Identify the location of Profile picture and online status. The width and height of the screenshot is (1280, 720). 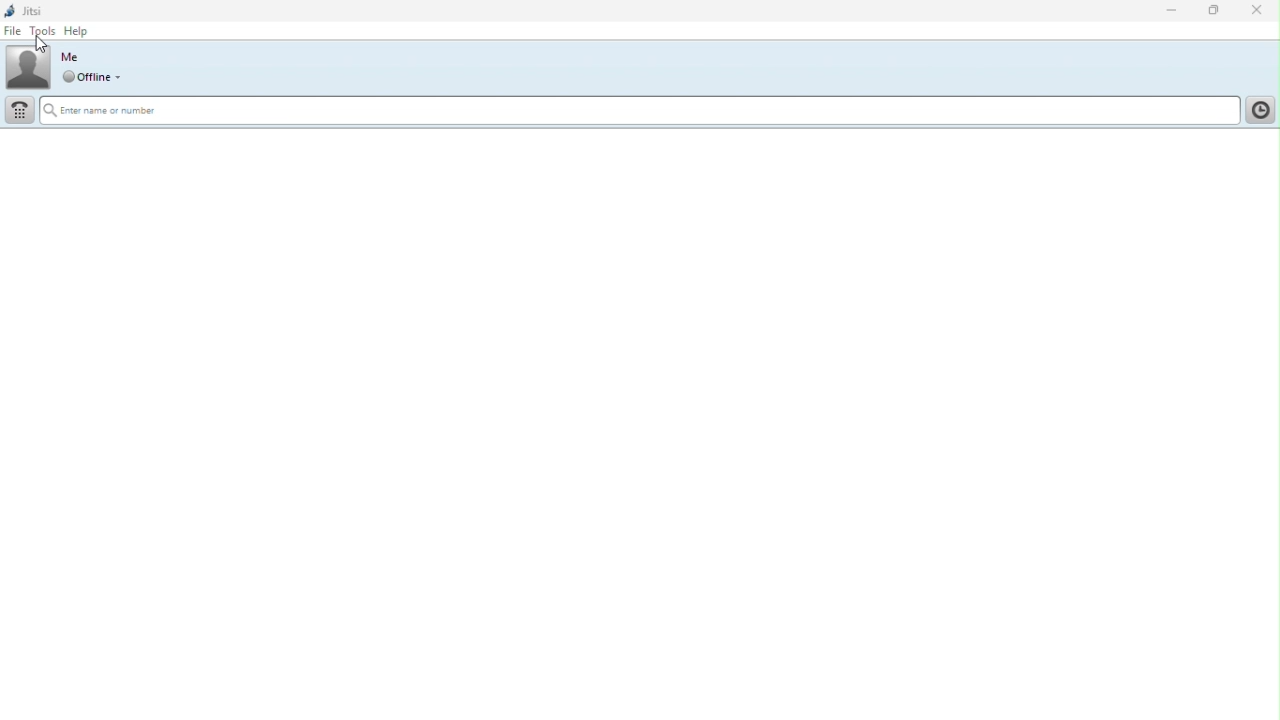
(70, 67).